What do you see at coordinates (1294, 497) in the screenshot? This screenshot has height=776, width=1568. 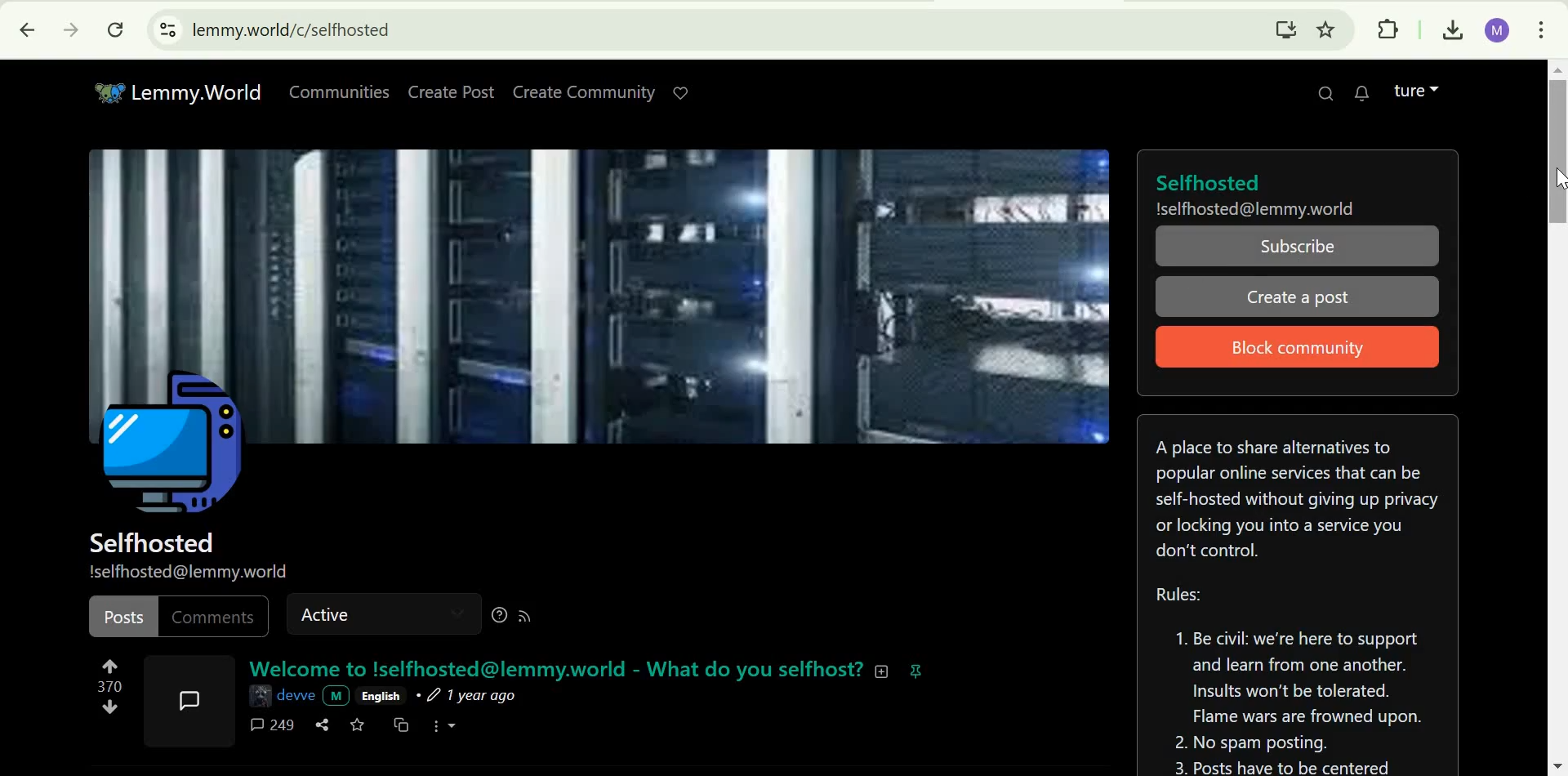 I see `About section` at bounding box center [1294, 497].